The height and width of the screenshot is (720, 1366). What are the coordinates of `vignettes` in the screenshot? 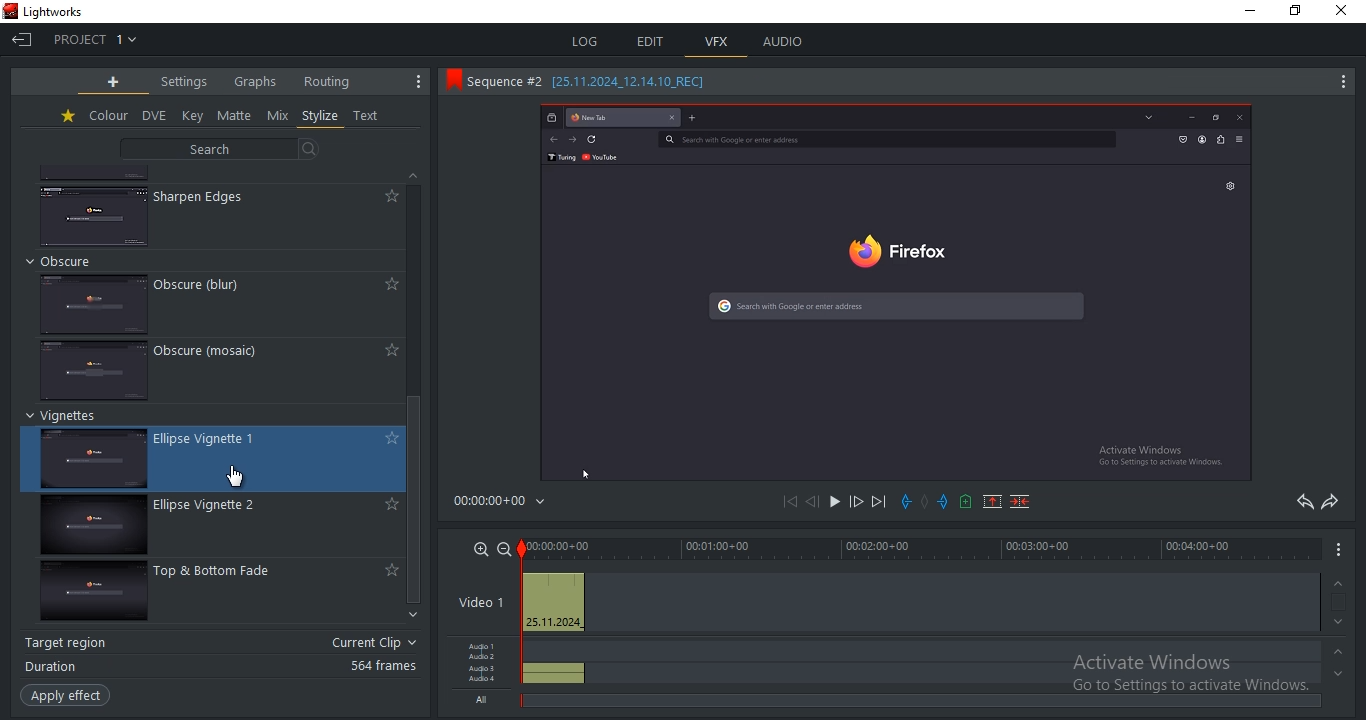 It's located at (99, 460).